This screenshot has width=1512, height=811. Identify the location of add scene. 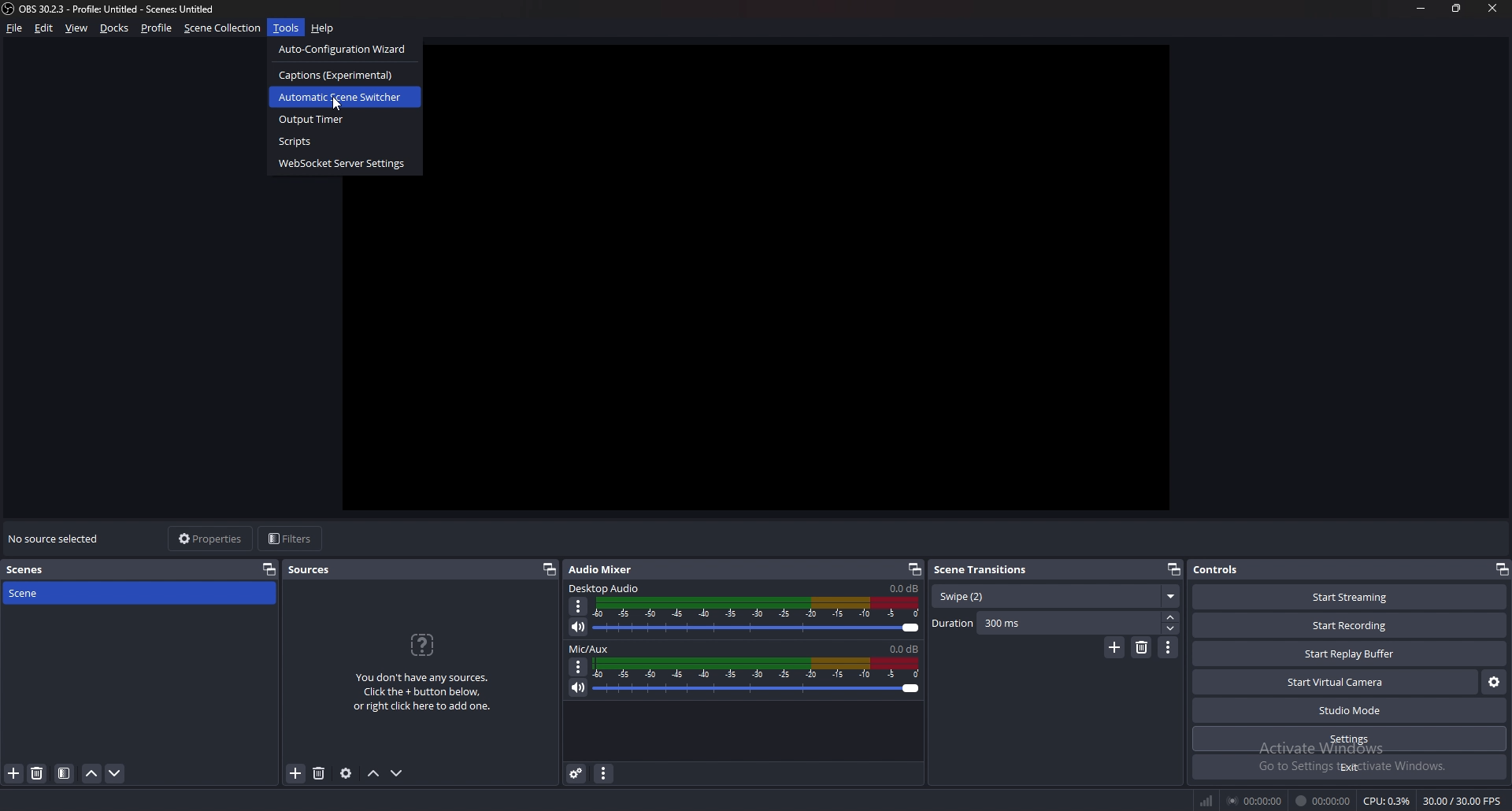
(14, 772).